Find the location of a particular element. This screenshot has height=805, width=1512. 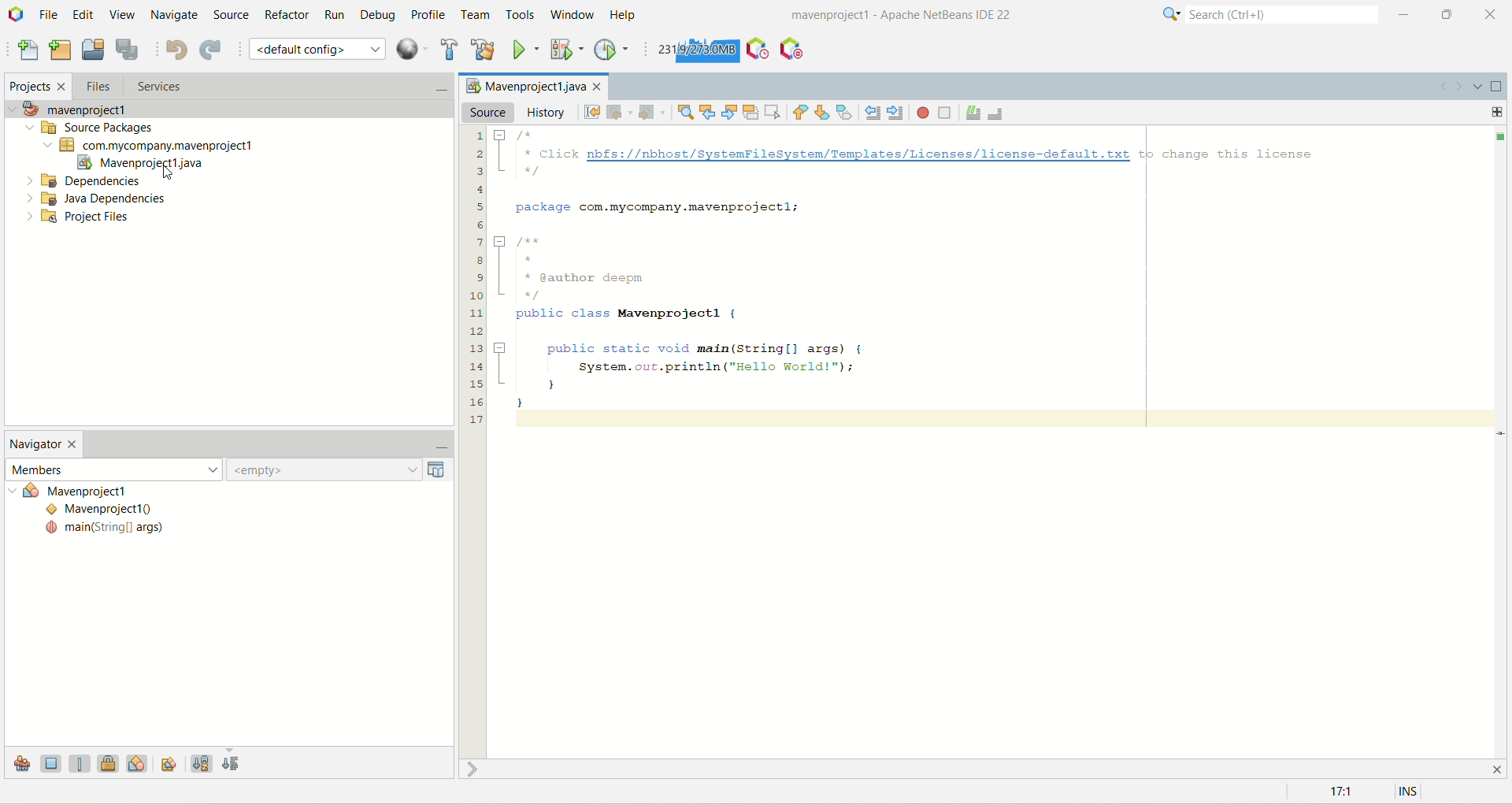

main(String[] args) is located at coordinates (105, 529).